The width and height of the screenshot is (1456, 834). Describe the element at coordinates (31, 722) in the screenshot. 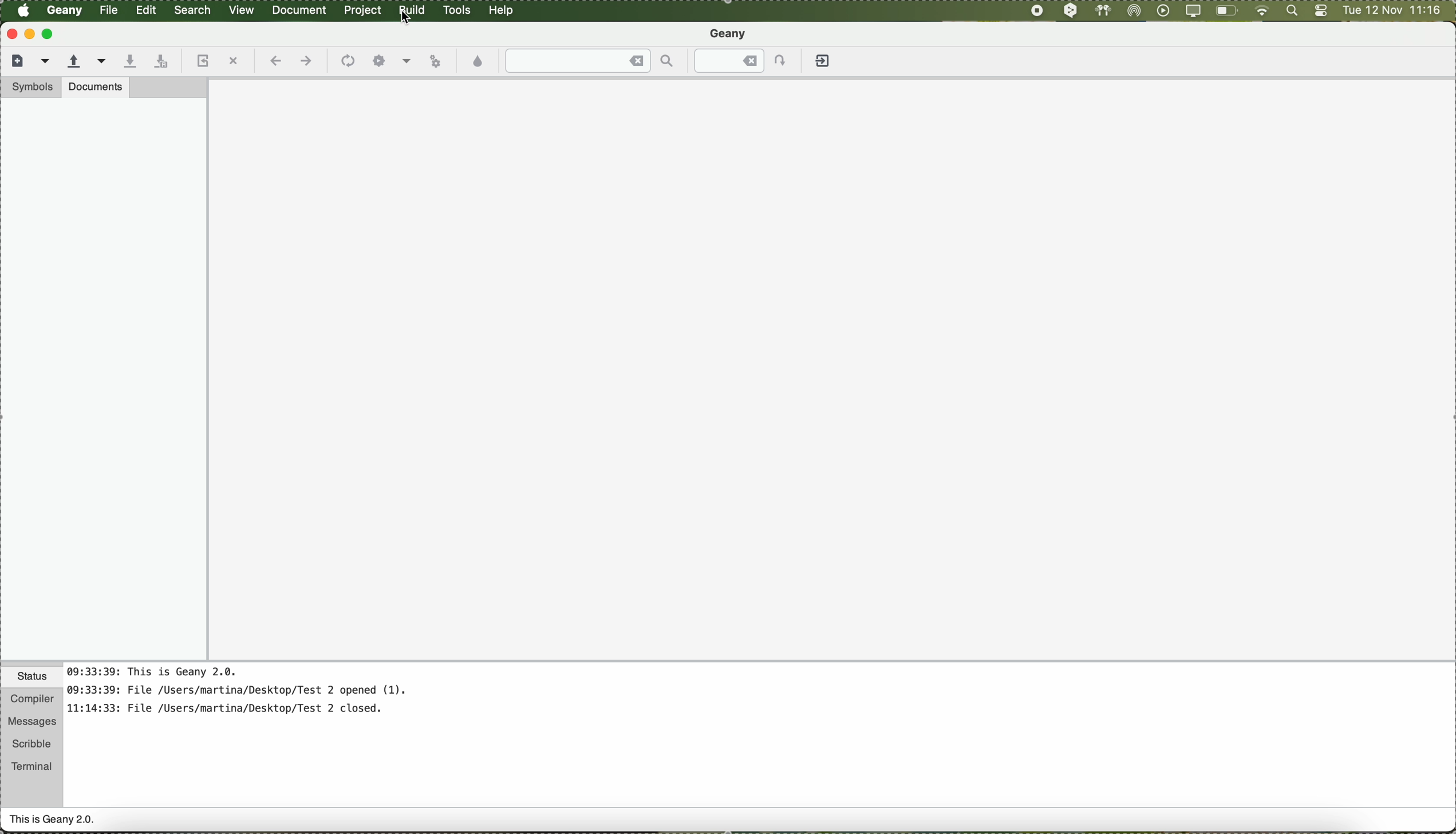

I see `messages` at that location.